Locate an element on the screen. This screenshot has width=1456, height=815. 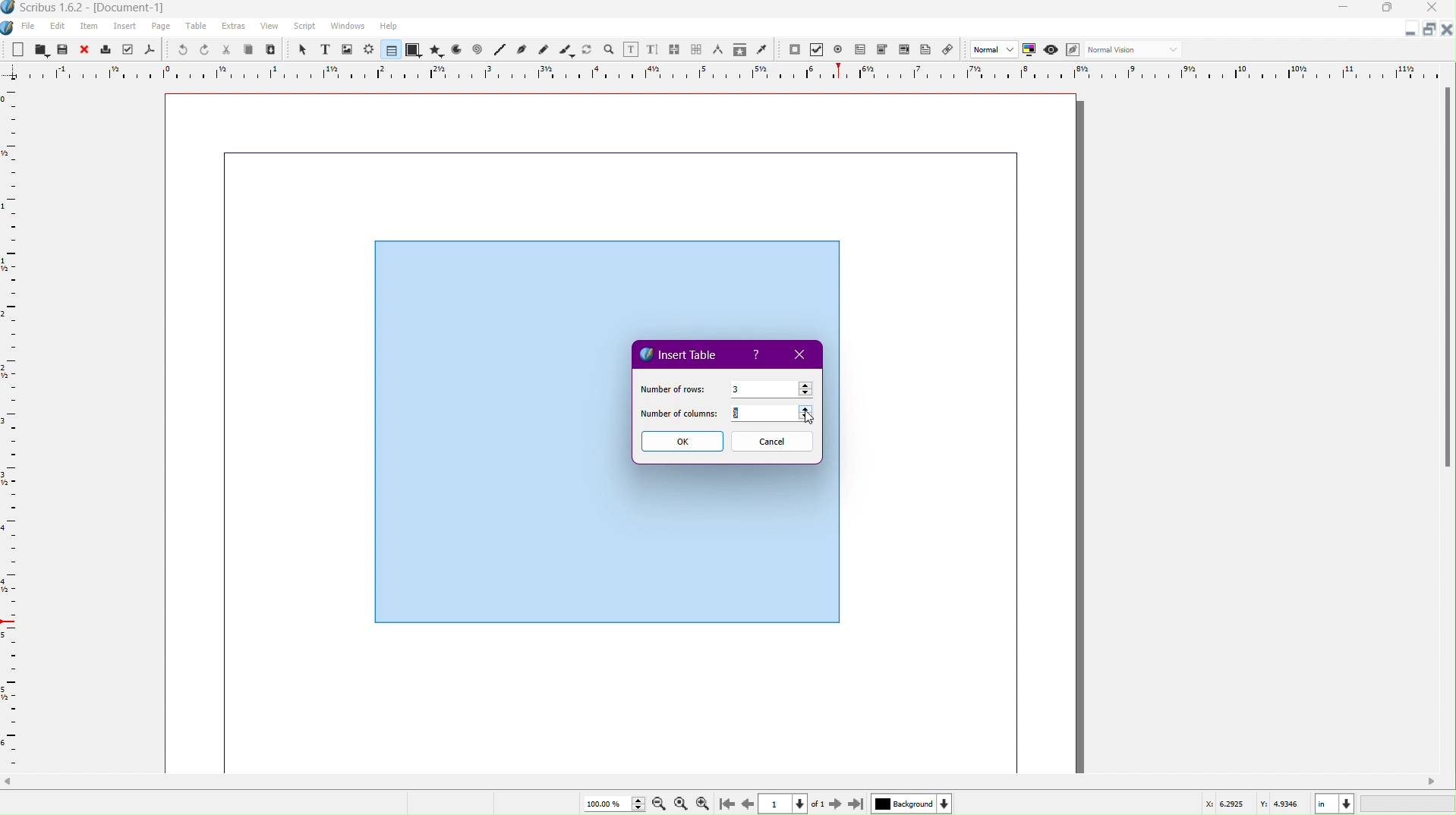
Edit in Preview Mode is located at coordinates (1075, 50).